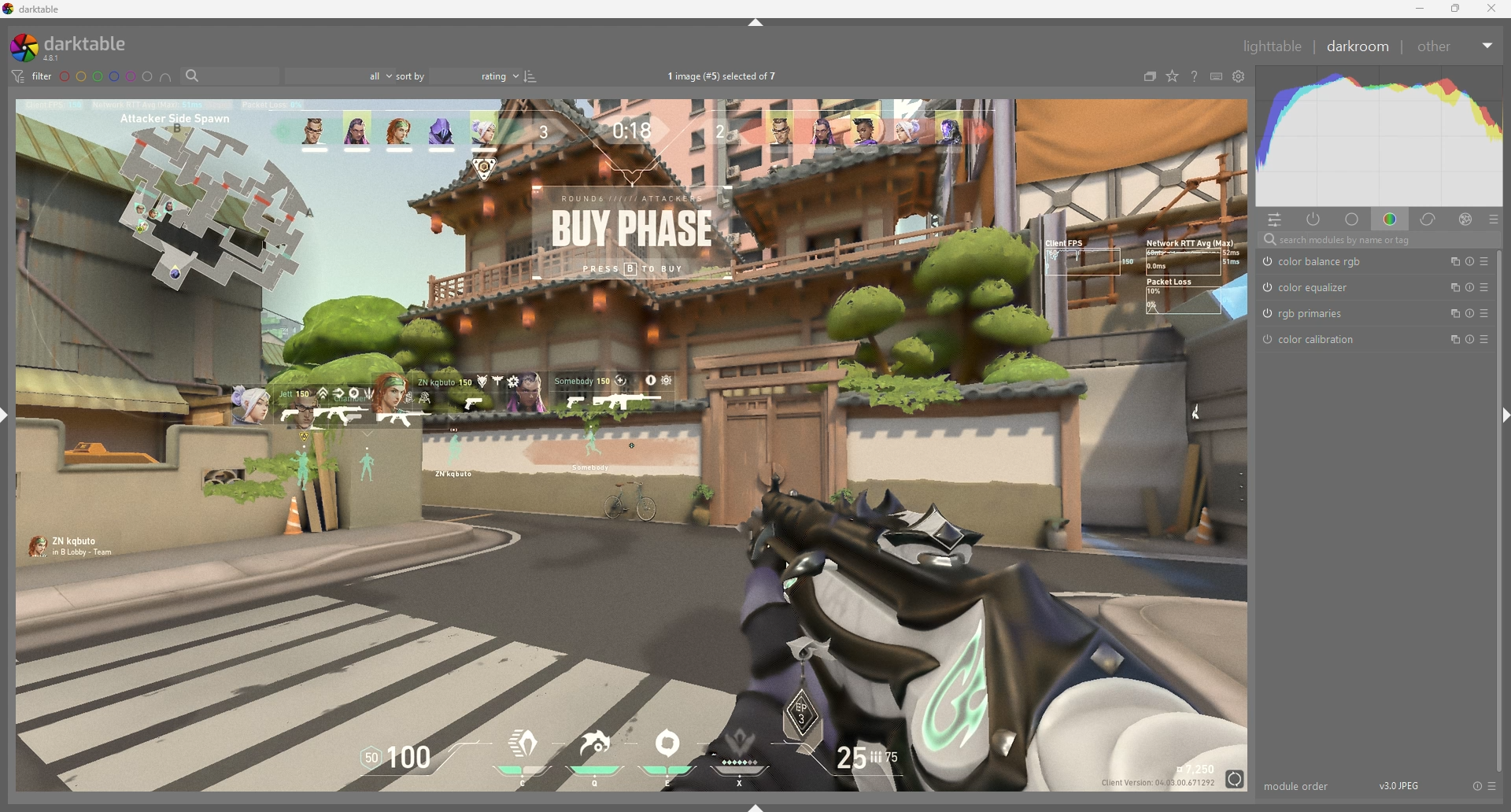 This screenshot has width=1511, height=812. I want to click on presets, so click(1491, 785).